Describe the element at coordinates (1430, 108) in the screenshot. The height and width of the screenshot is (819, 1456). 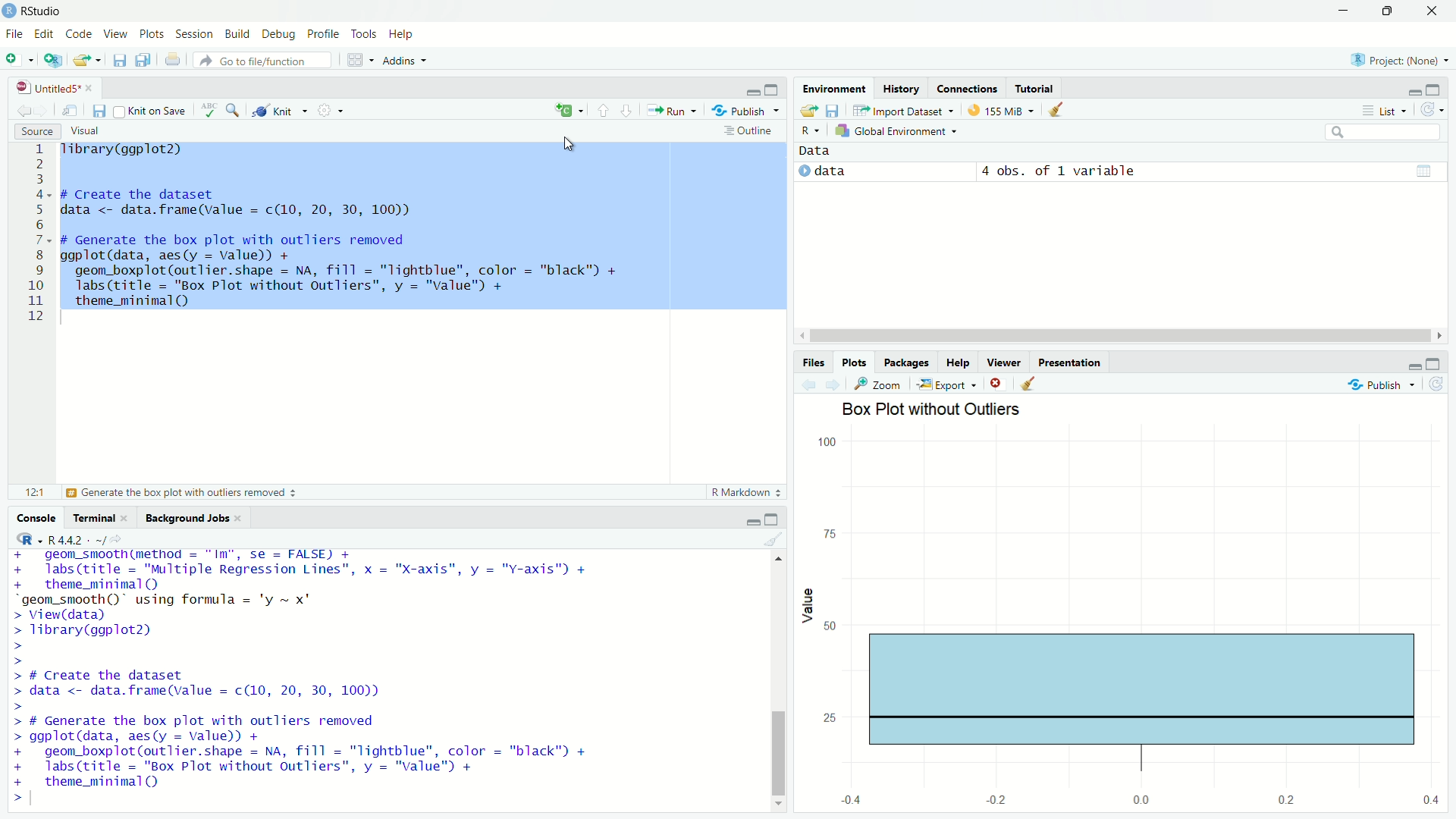
I see `refresh` at that location.